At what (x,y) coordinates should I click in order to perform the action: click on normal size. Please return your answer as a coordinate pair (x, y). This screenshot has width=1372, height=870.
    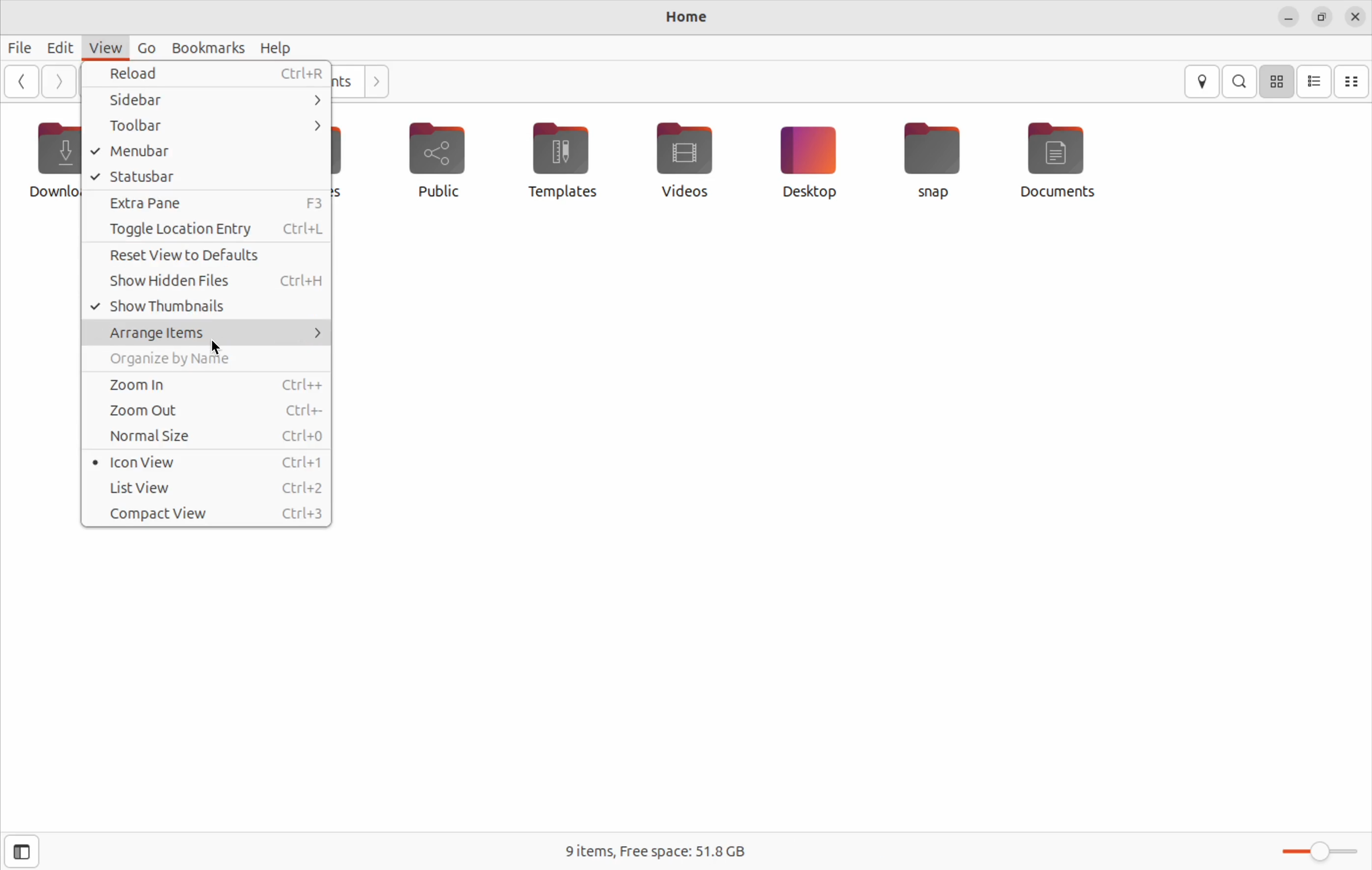
    Looking at the image, I should click on (207, 438).